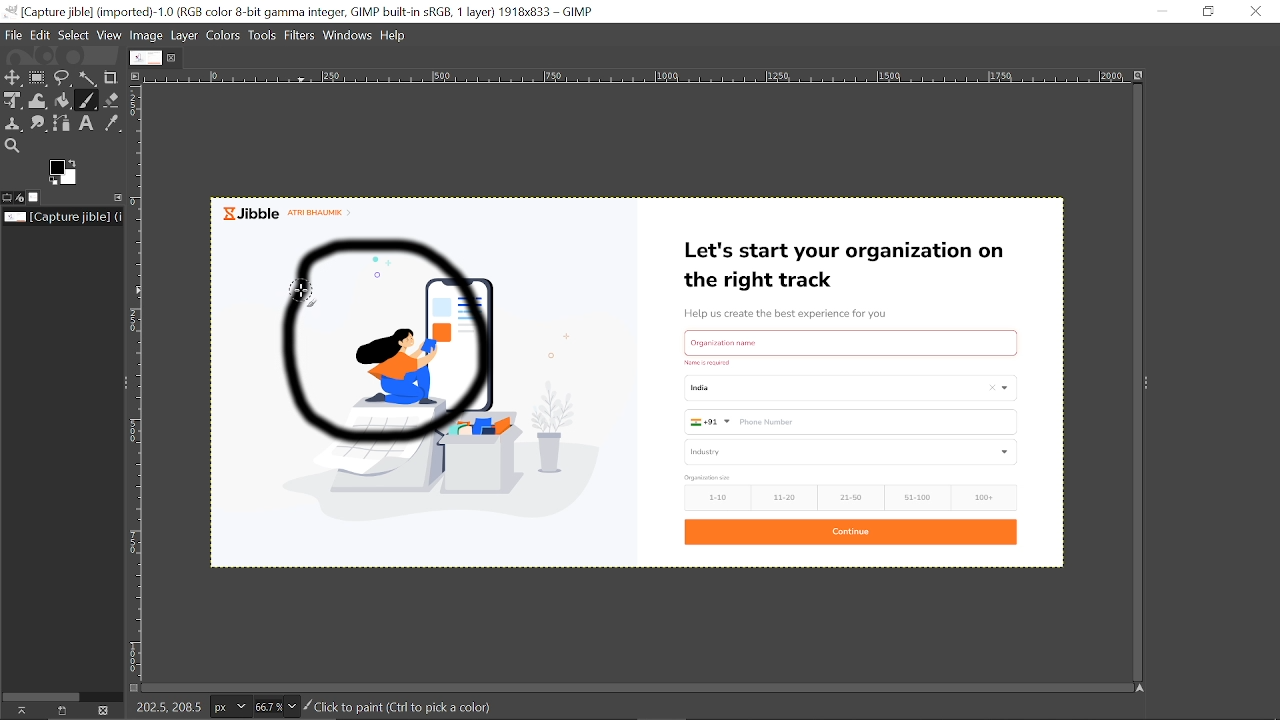 The height and width of the screenshot is (720, 1280). What do you see at coordinates (13, 101) in the screenshot?
I see `Unified select tool` at bounding box center [13, 101].